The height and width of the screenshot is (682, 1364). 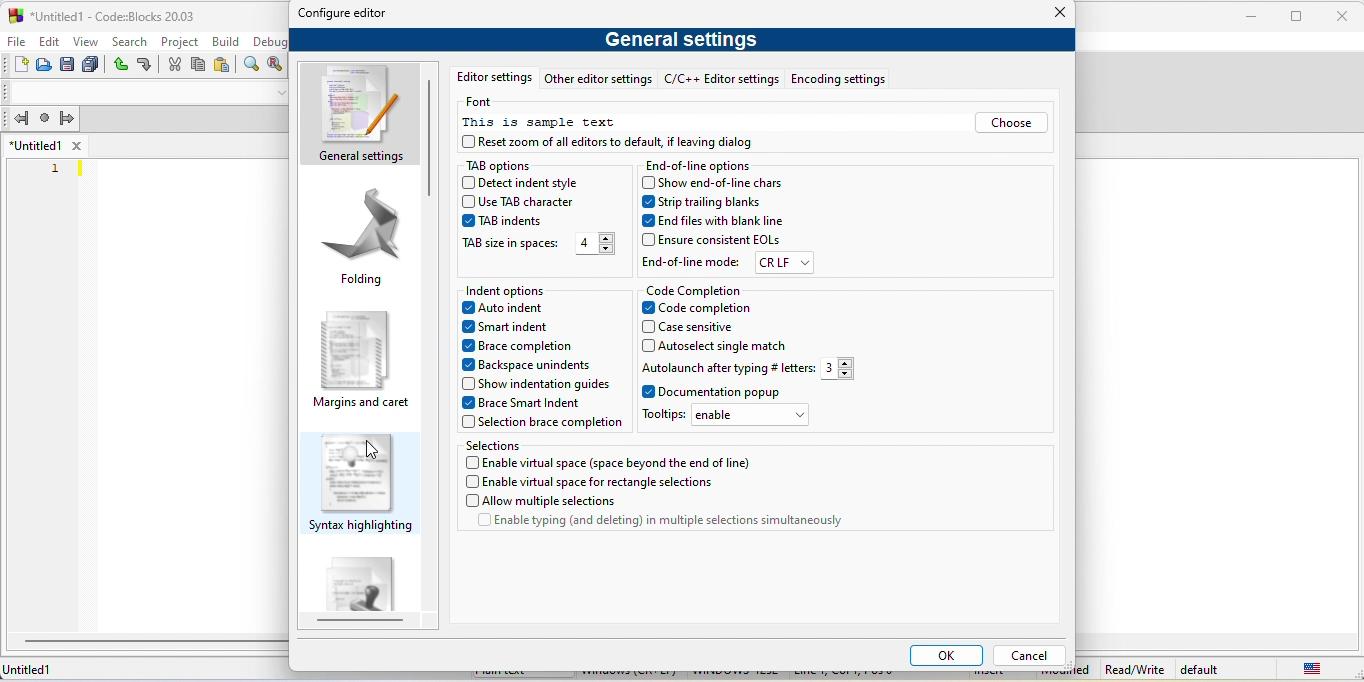 What do you see at coordinates (726, 416) in the screenshot?
I see `tool tips- enable` at bounding box center [726, 416].